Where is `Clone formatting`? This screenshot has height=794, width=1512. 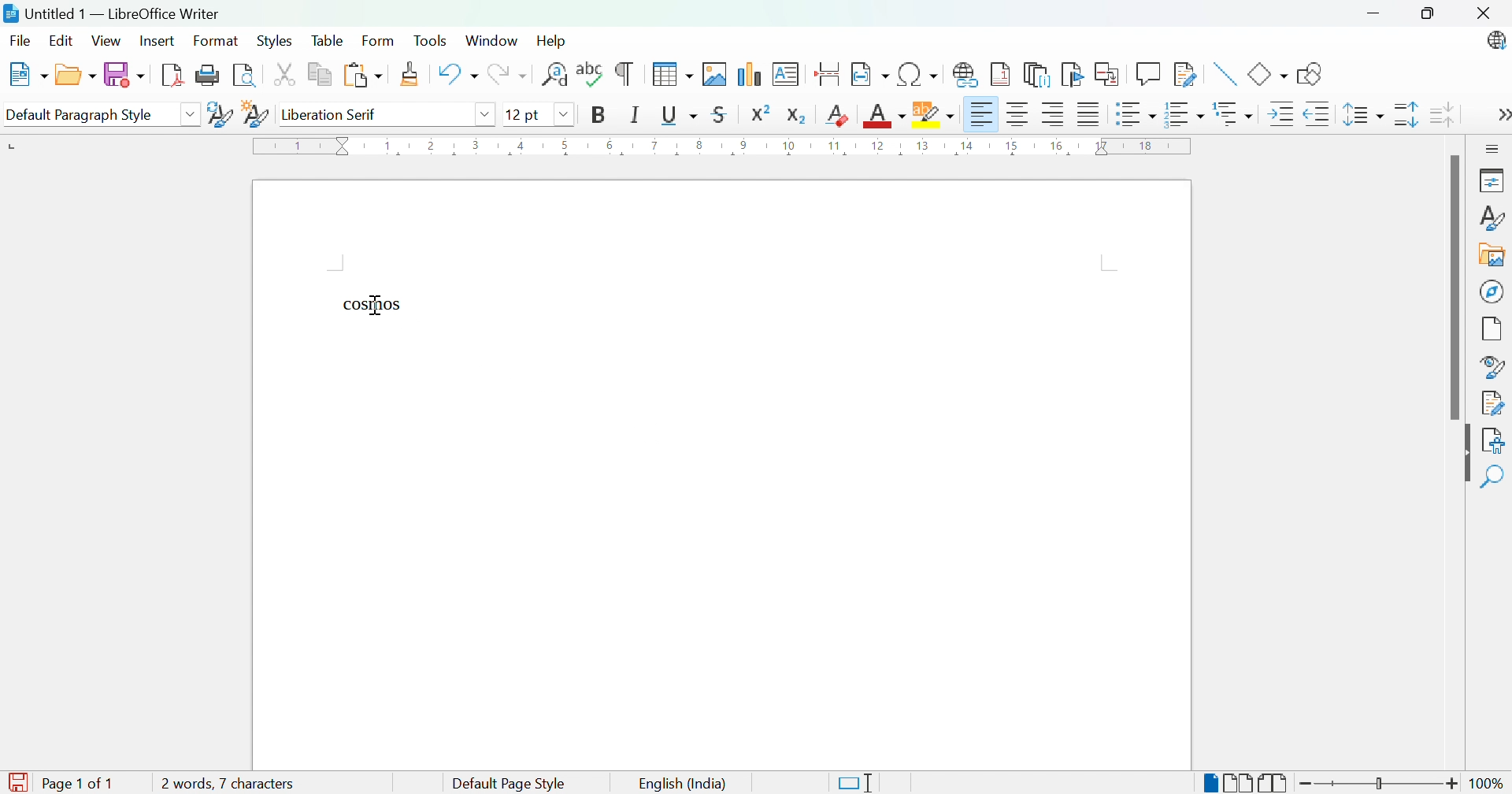 Clone formatting is located at coordinates (413, 74).